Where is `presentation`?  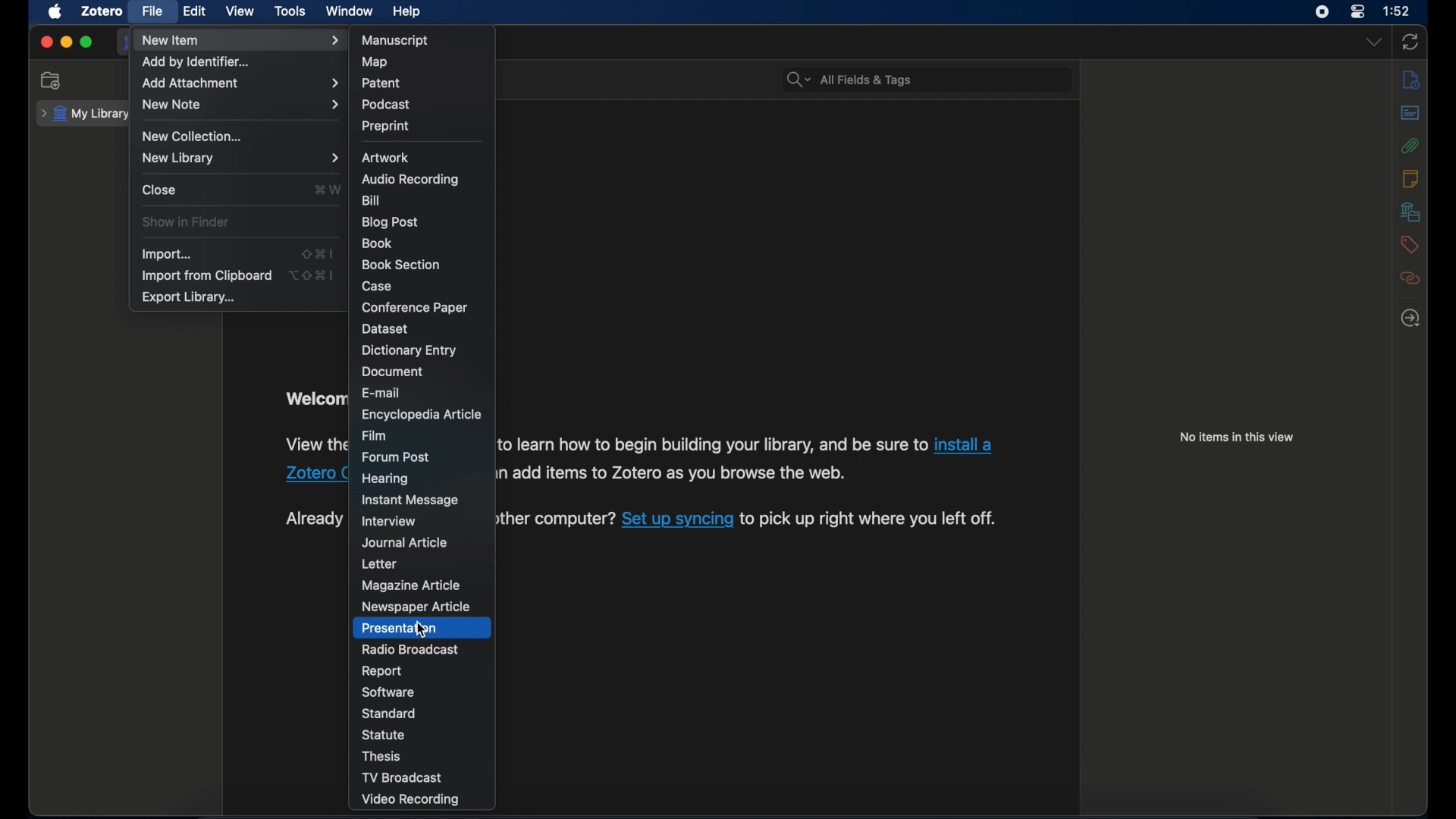 presentation is located at coordinates (400, 629).